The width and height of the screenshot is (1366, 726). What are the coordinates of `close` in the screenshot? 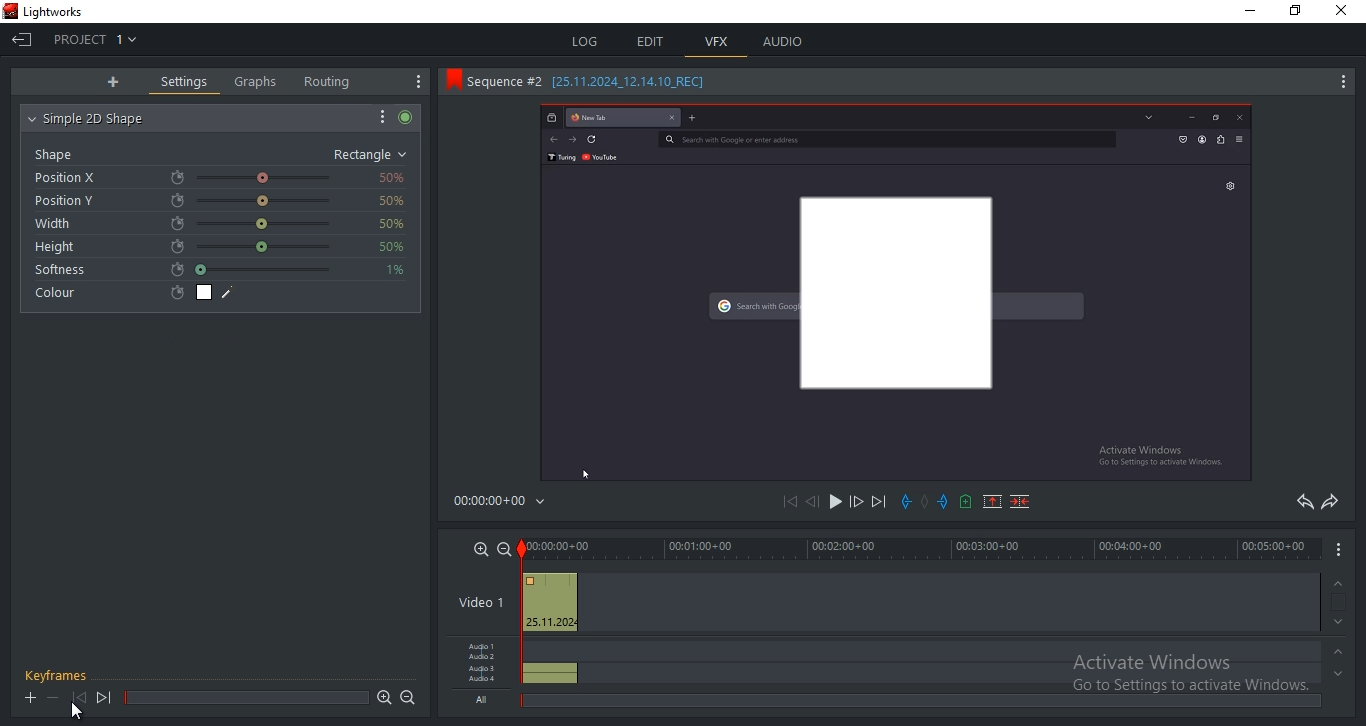 It's located at (1346, 12).